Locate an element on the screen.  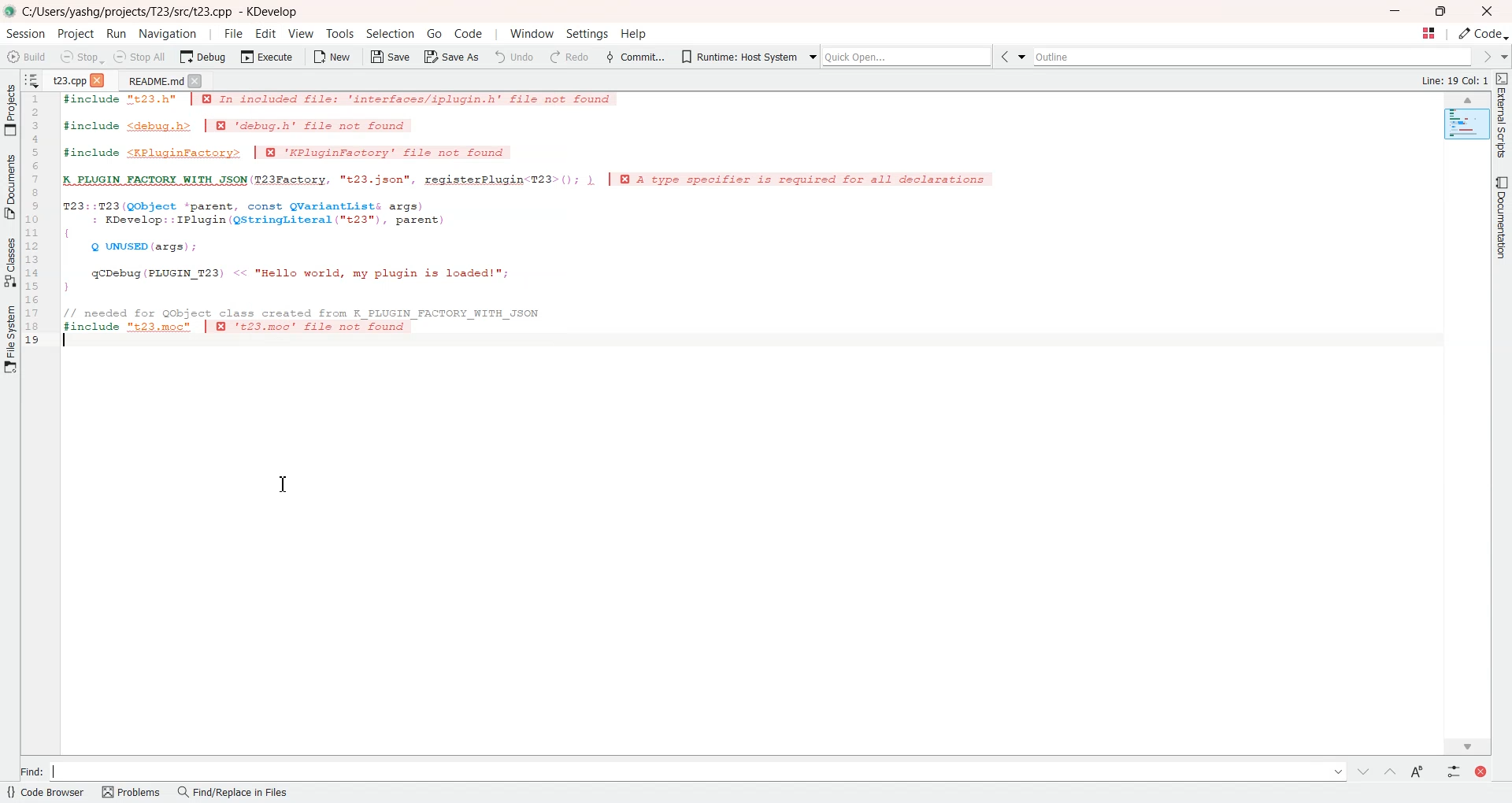
Rows  is located at coordinates (36, 221).